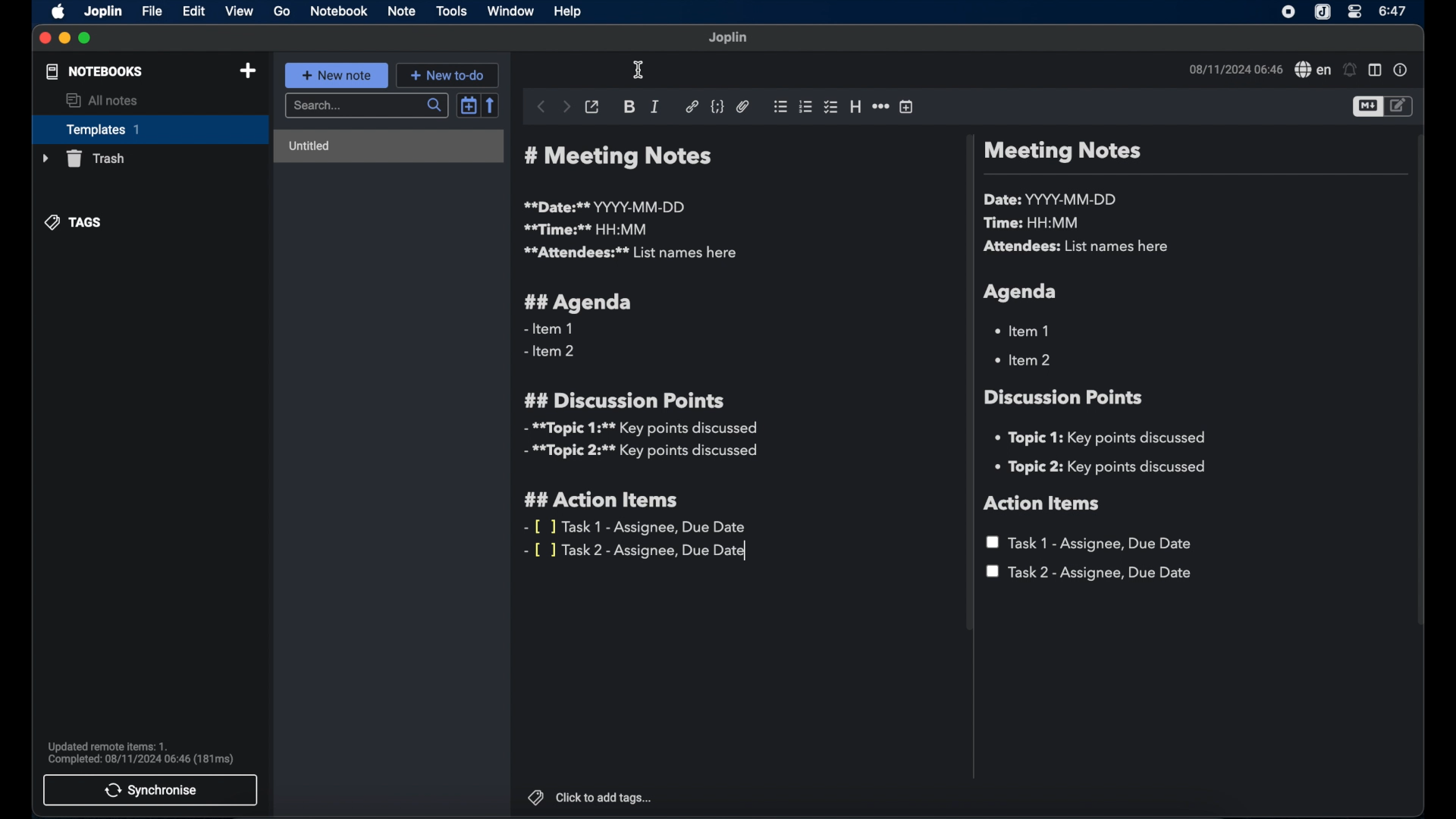 This screenshot has width=1456, height=819. What do you see at coordinates (548, 329) in the screenshot?
I see `- item 1` at bounding box center [548, 329].